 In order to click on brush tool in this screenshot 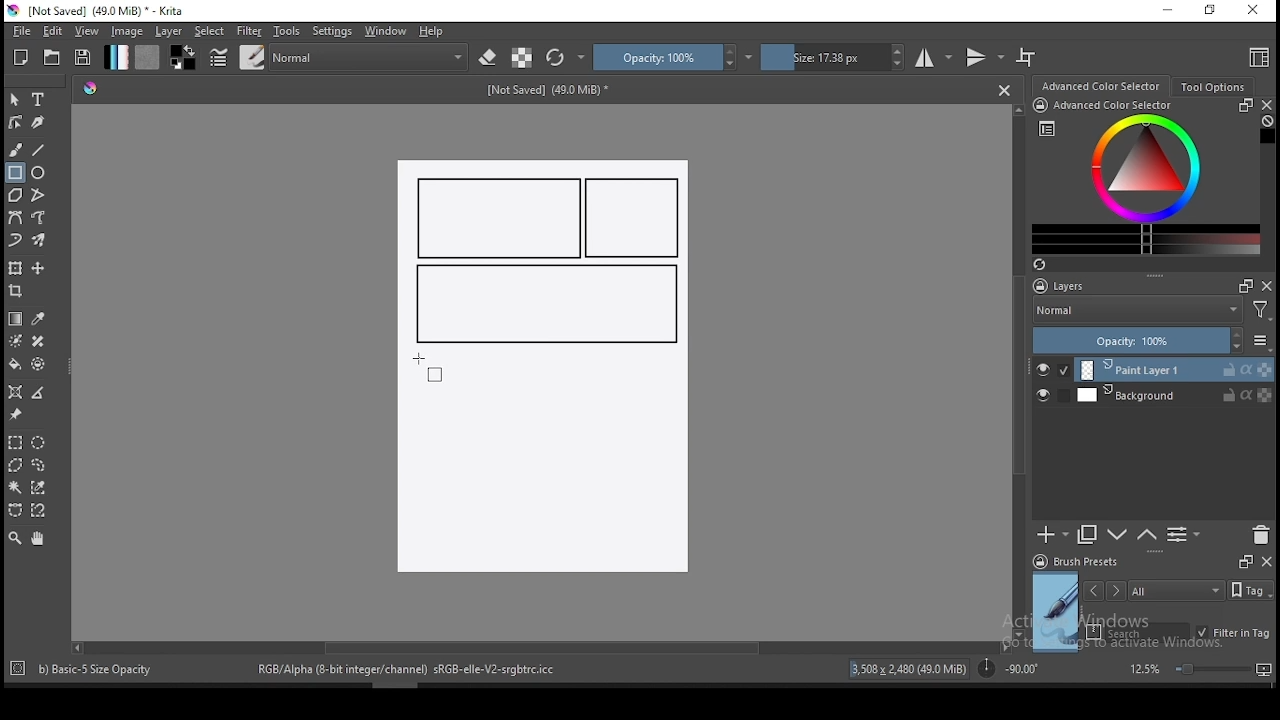, I will do `click(17, 149)`.